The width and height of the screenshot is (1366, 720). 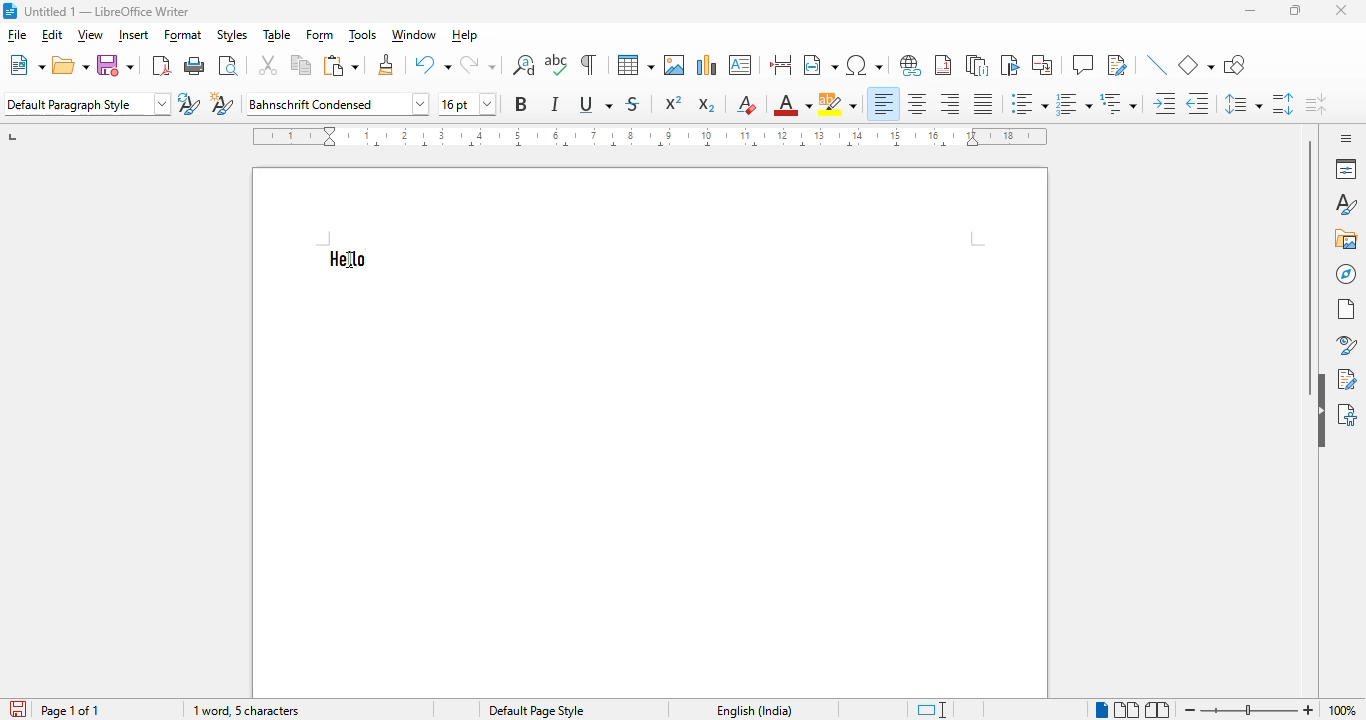 I want to click on clone formatting, so click(x=386, y=63).